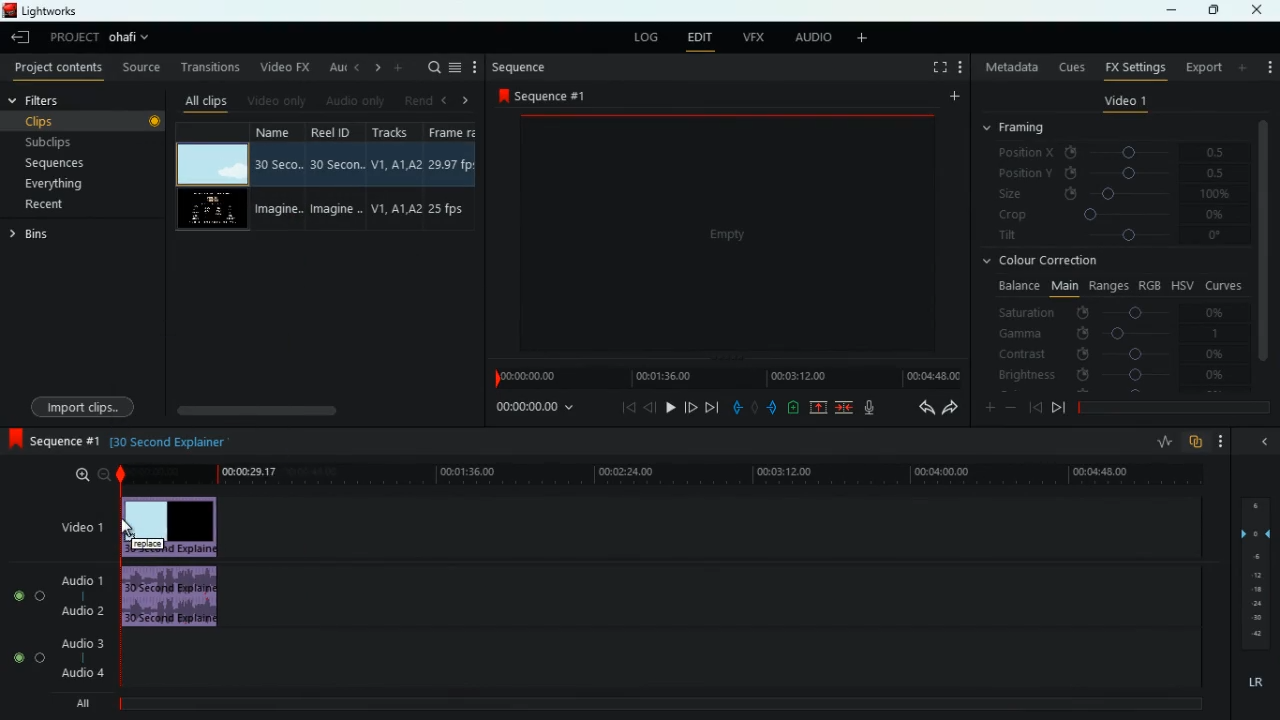 This screenshot has height=720, width=1280. I want to click on recent, so click(47, 206).